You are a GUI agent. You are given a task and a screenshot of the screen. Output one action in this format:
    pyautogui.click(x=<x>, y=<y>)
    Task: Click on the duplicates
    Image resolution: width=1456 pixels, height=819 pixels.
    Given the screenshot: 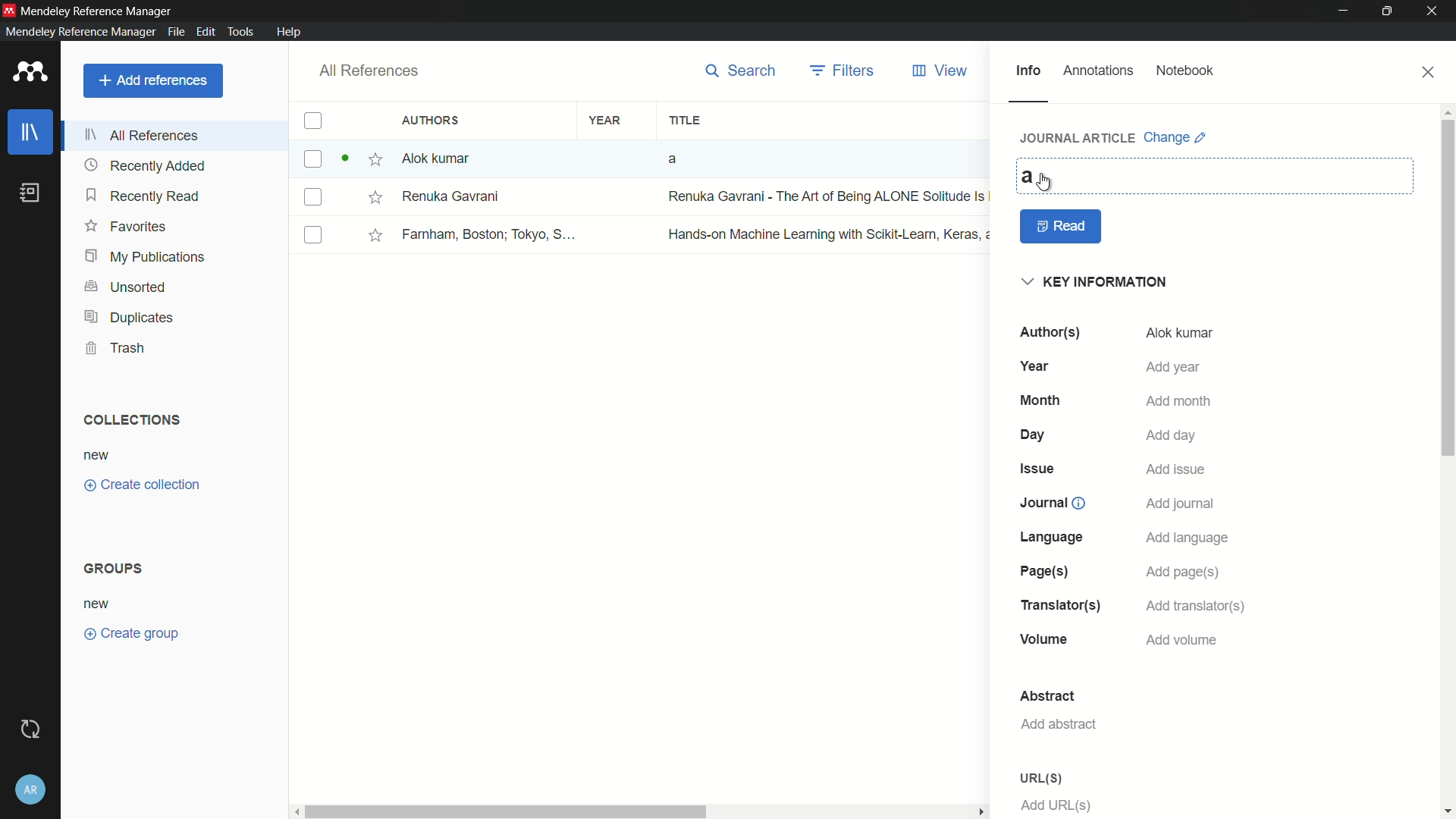 What is the action you would take?
    pyautogui.click(x=128, y=318)
    